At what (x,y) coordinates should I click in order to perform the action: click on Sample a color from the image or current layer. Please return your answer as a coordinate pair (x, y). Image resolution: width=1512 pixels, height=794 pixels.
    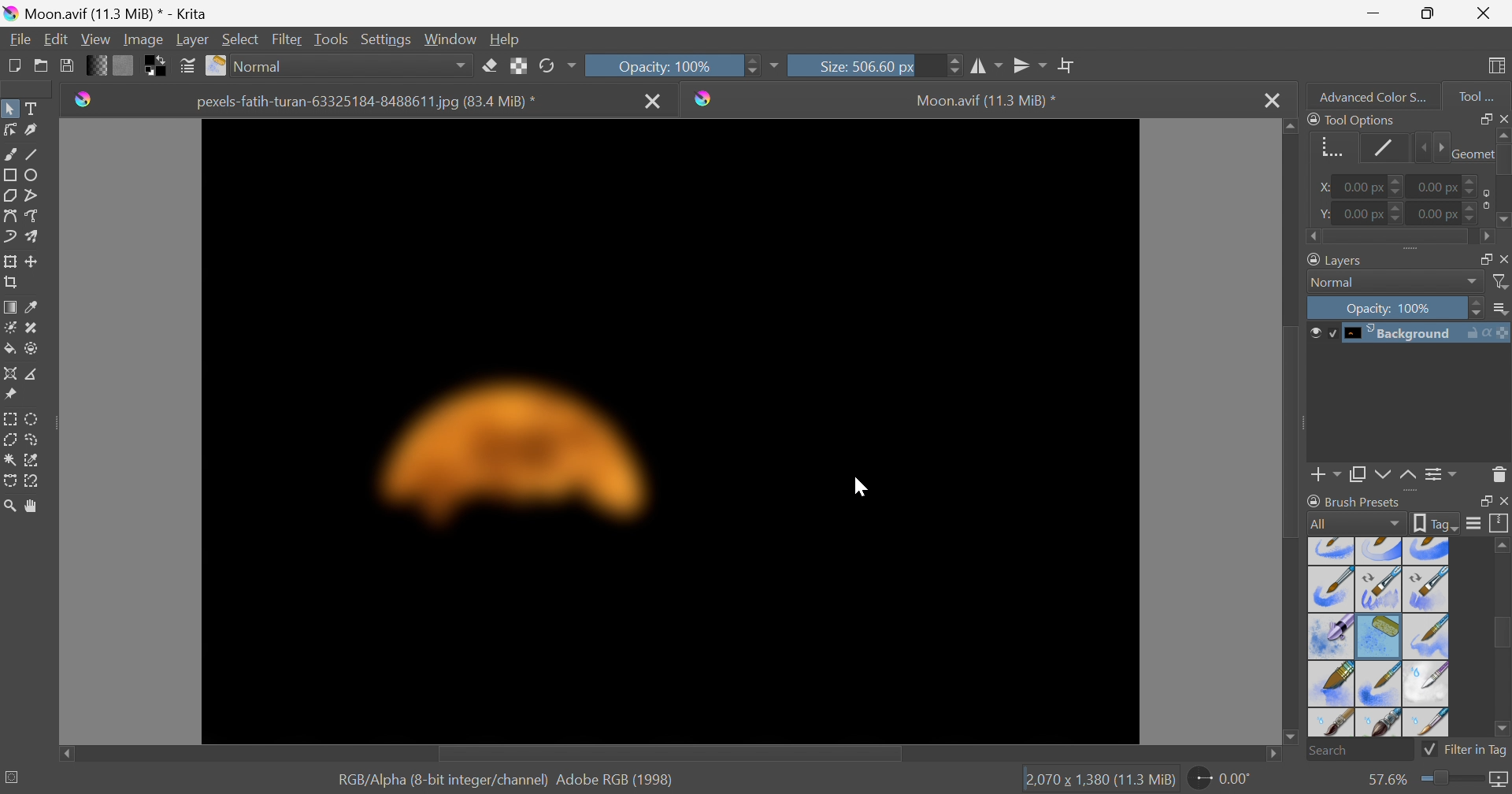
    Looking at the image, I should click on (31, 304).